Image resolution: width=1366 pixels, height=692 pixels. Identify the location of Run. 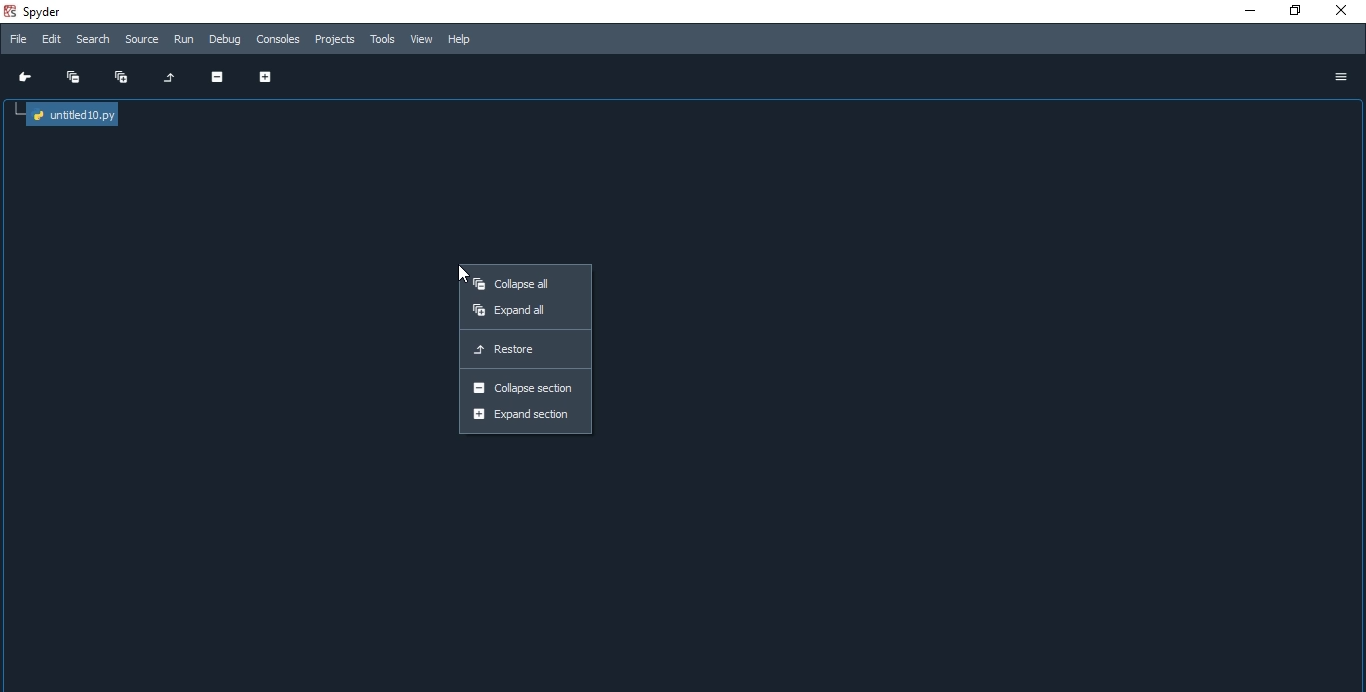
(186, 40).